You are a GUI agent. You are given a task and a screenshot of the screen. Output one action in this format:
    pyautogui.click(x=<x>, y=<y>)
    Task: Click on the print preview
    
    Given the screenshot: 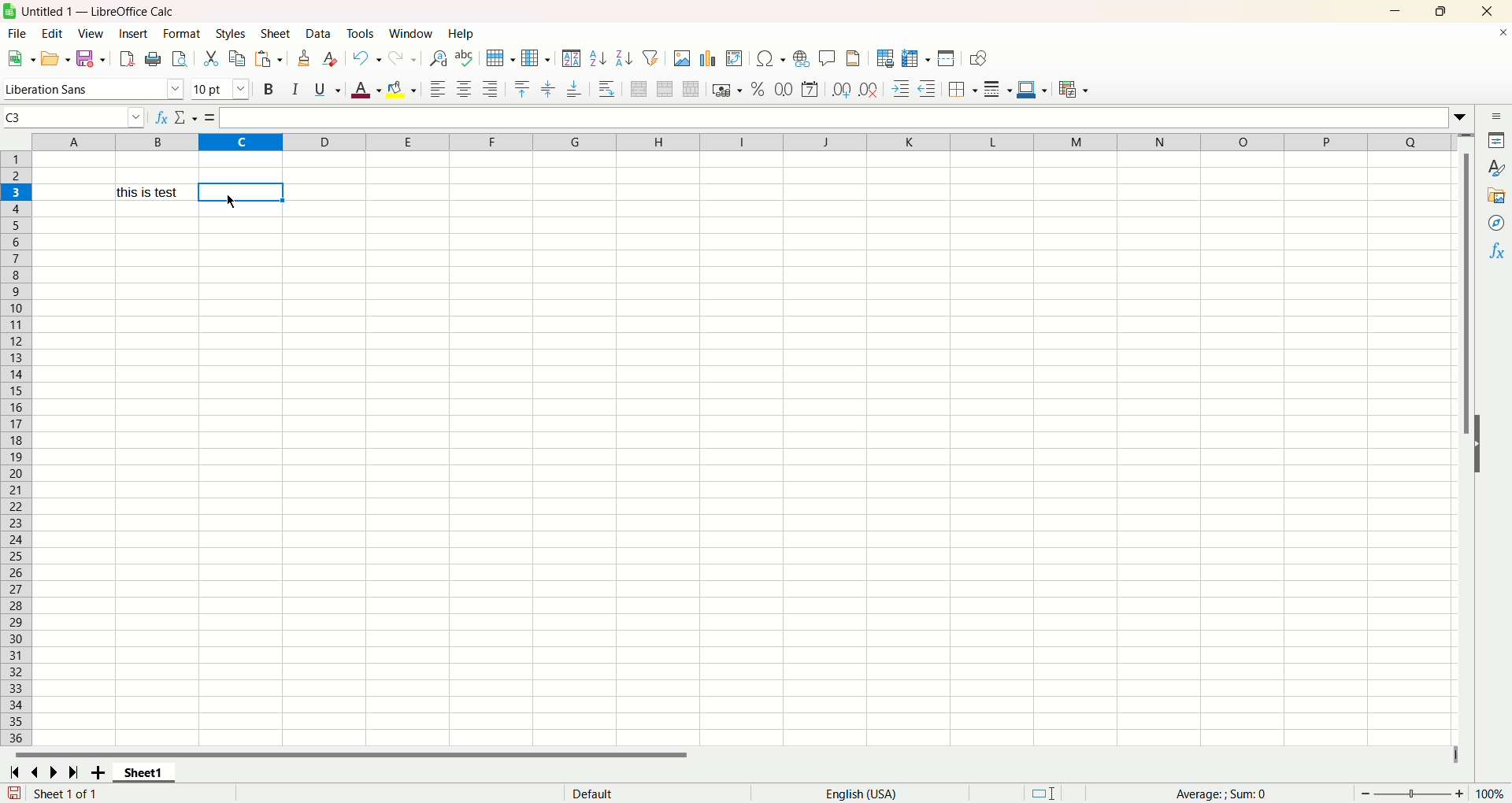 What is the action you would take?
    pyautogui.click(x=179, y=60)
    